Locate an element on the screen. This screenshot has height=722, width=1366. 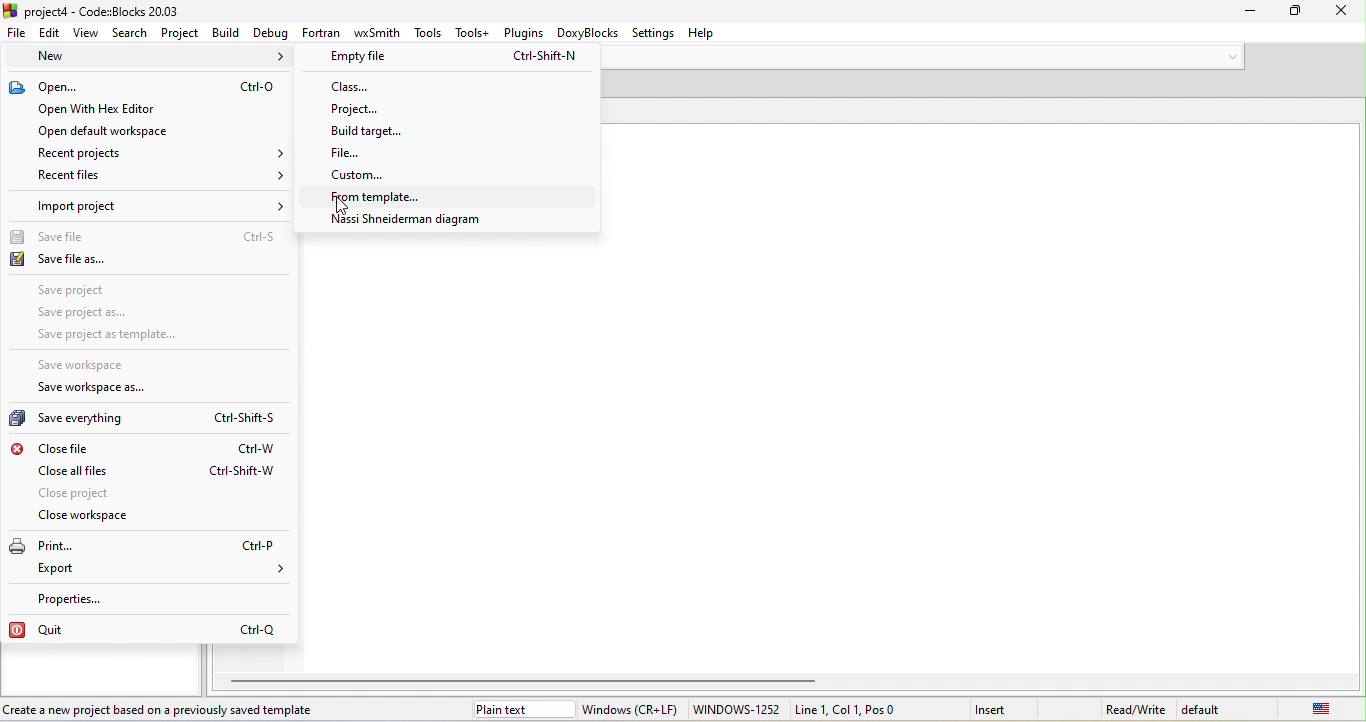
Line 1, Col 1, Pos0 is located at coordinates (869, 709).